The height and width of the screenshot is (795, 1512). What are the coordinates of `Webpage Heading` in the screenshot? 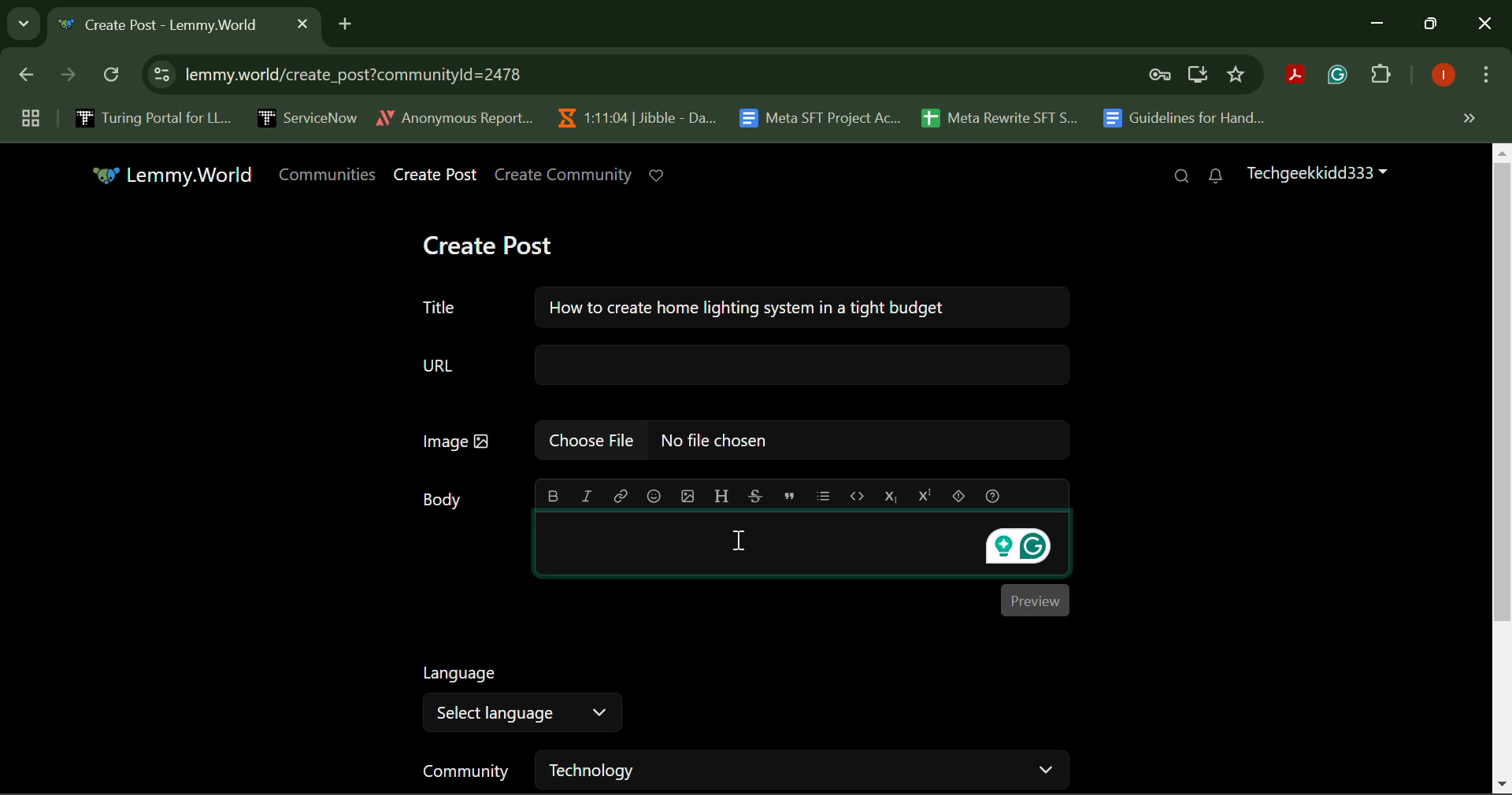 It's located at (167, 27).